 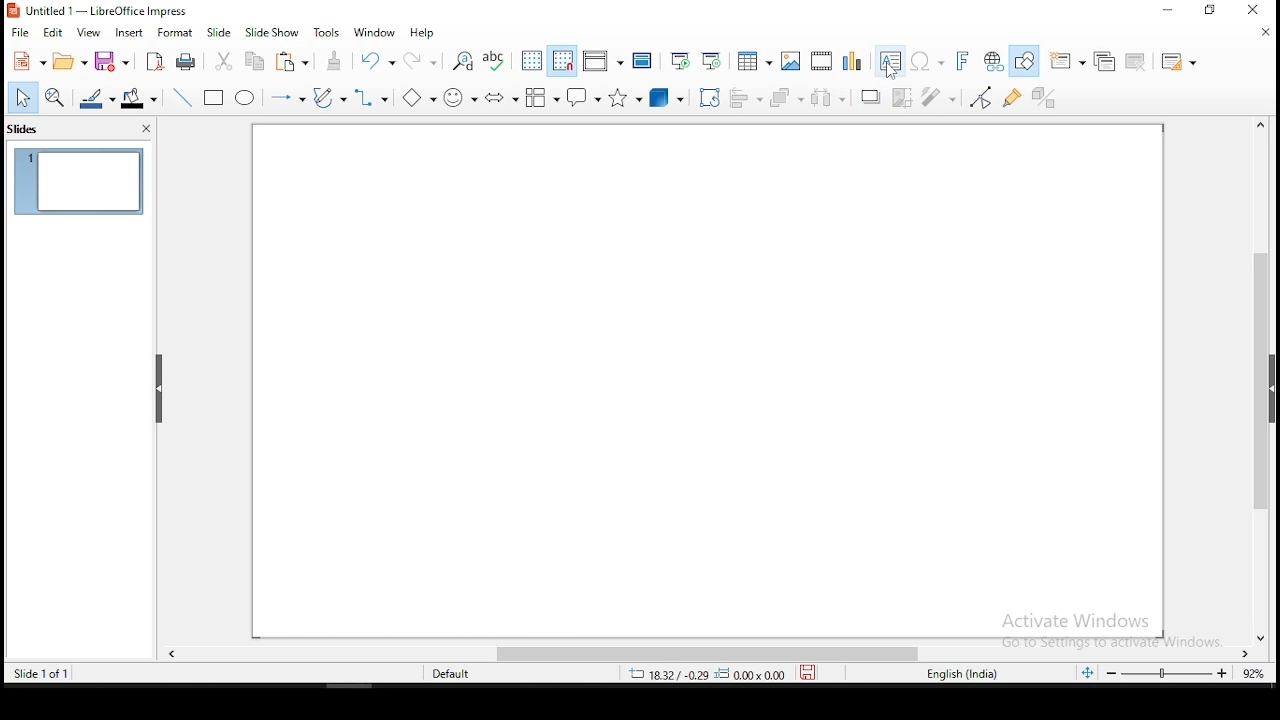 I want to click on start from current slide, so click(x=711, y=60).